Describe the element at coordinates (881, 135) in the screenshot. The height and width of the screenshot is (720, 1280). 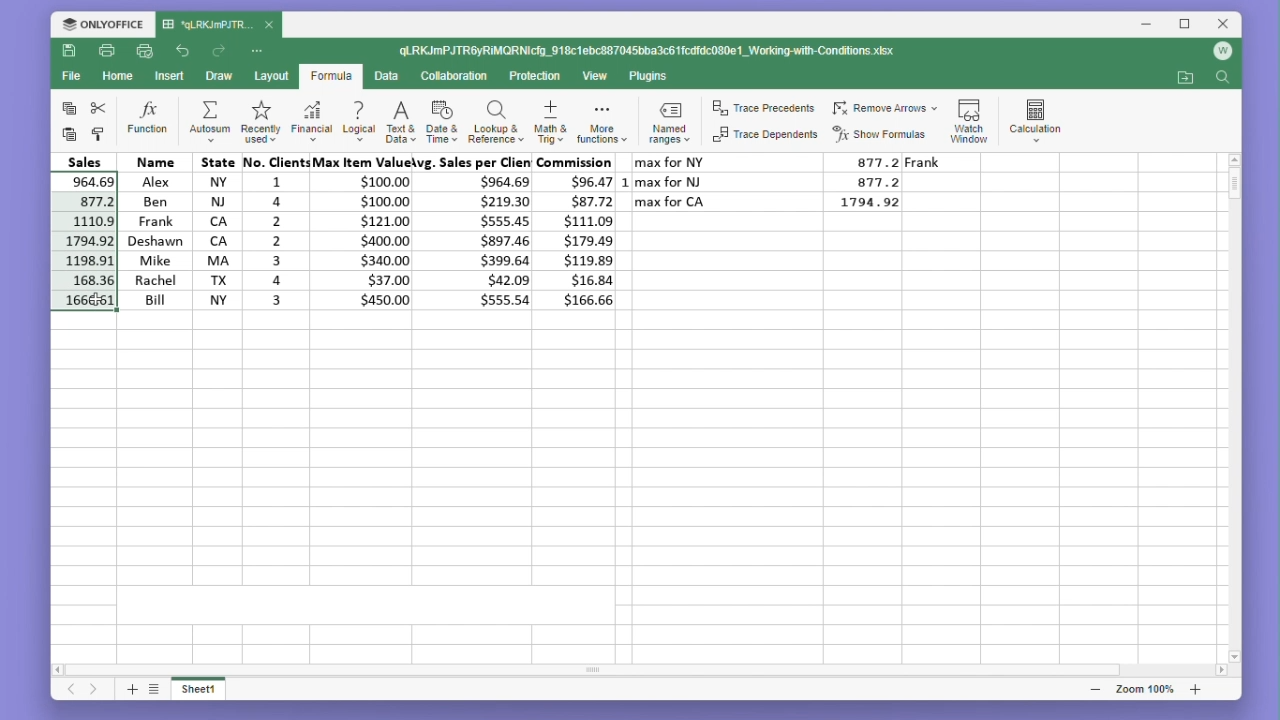
I see `Show formulas` at that location.